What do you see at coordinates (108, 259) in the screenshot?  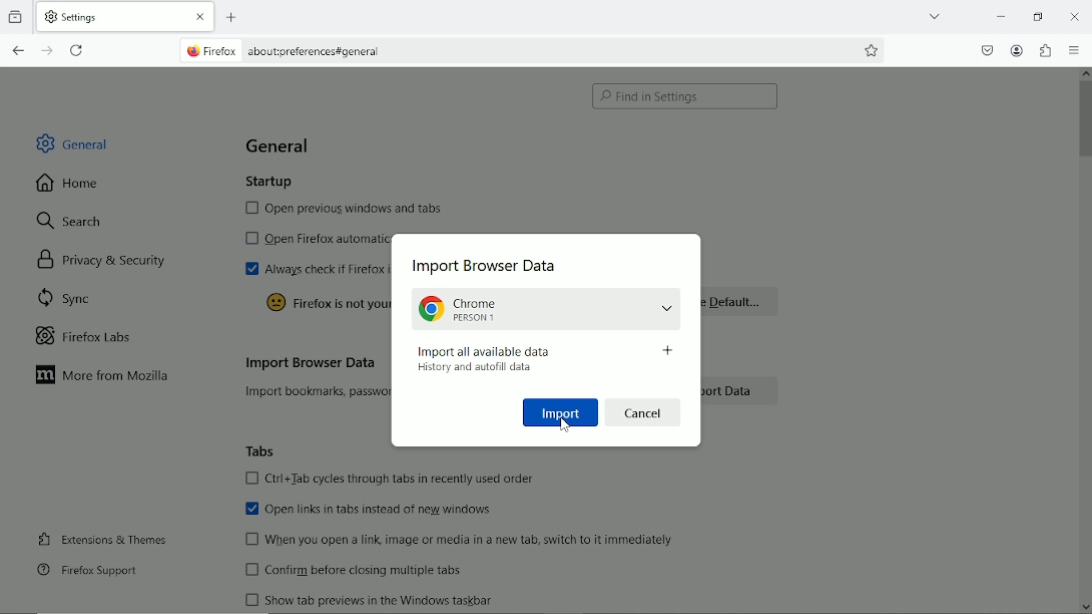 I see `Privacy & security` at bounding box center [108, 259].